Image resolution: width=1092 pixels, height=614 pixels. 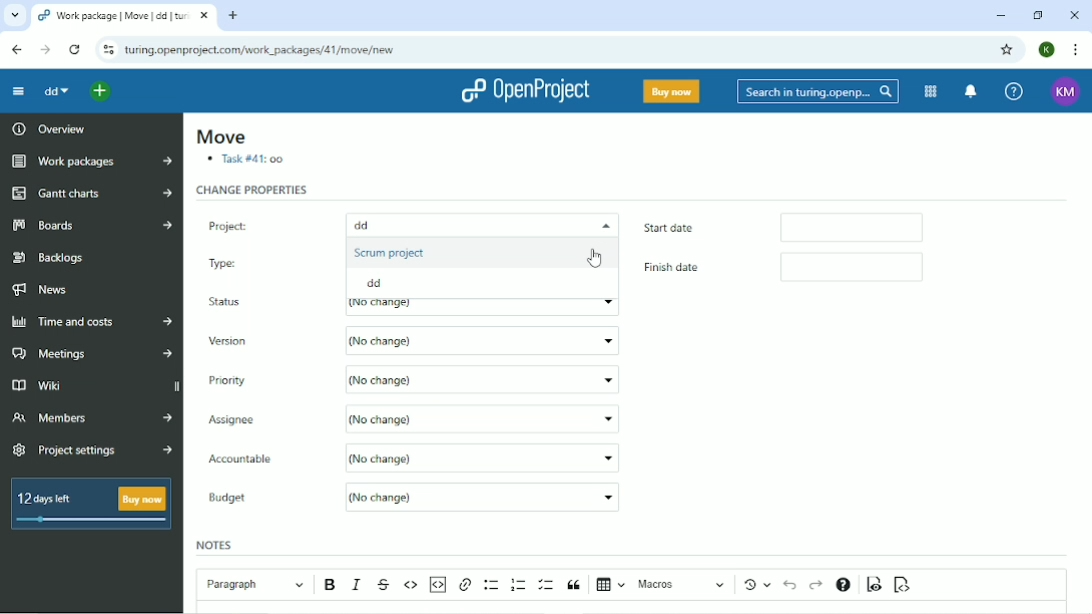 I want to click on Project, so click(x=263, y=222).